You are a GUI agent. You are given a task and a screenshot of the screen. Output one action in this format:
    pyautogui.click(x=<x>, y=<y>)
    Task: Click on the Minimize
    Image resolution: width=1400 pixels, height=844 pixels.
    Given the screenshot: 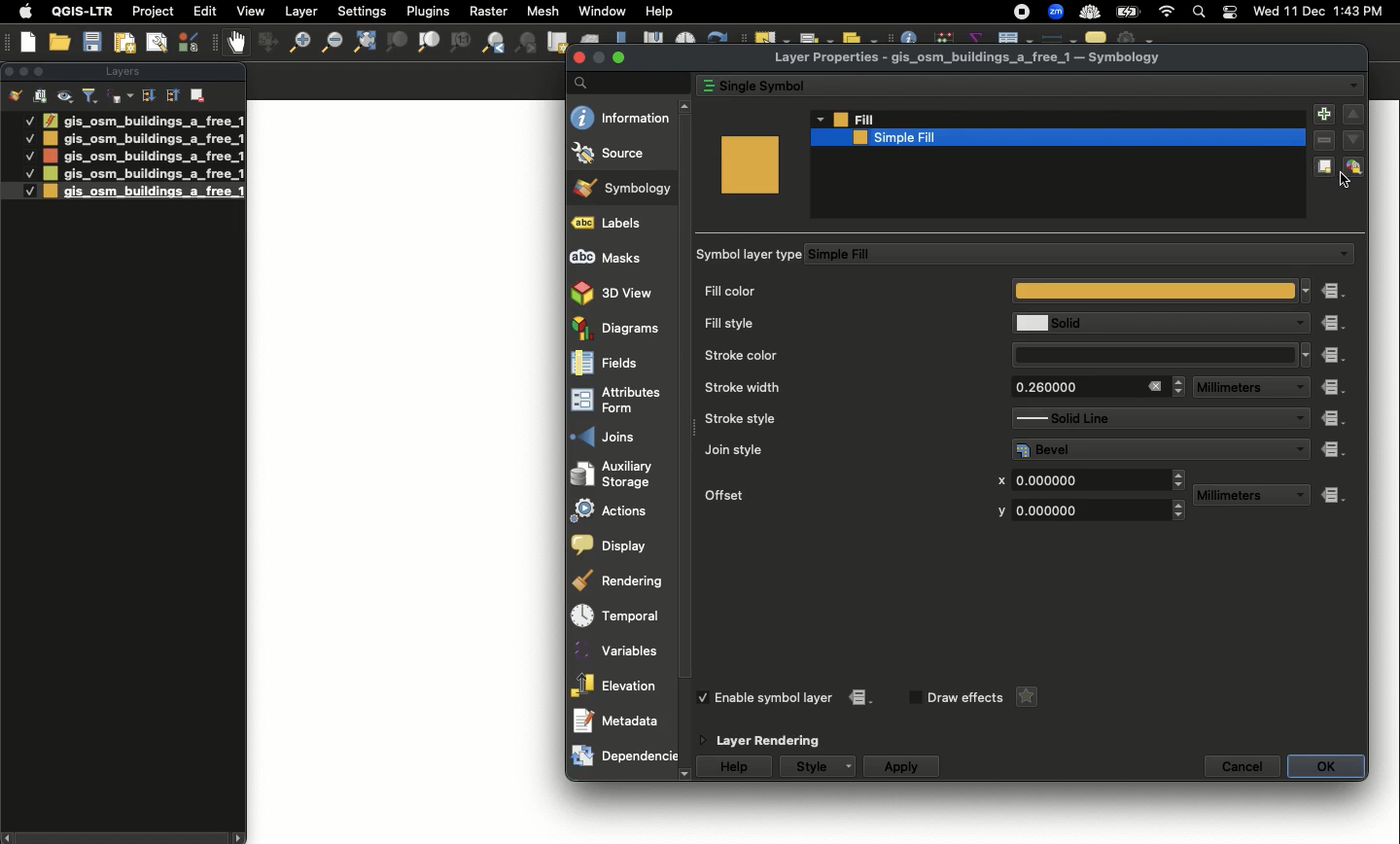 What is the action you would take?
    pyautogui.click(x=22, y=70)
    